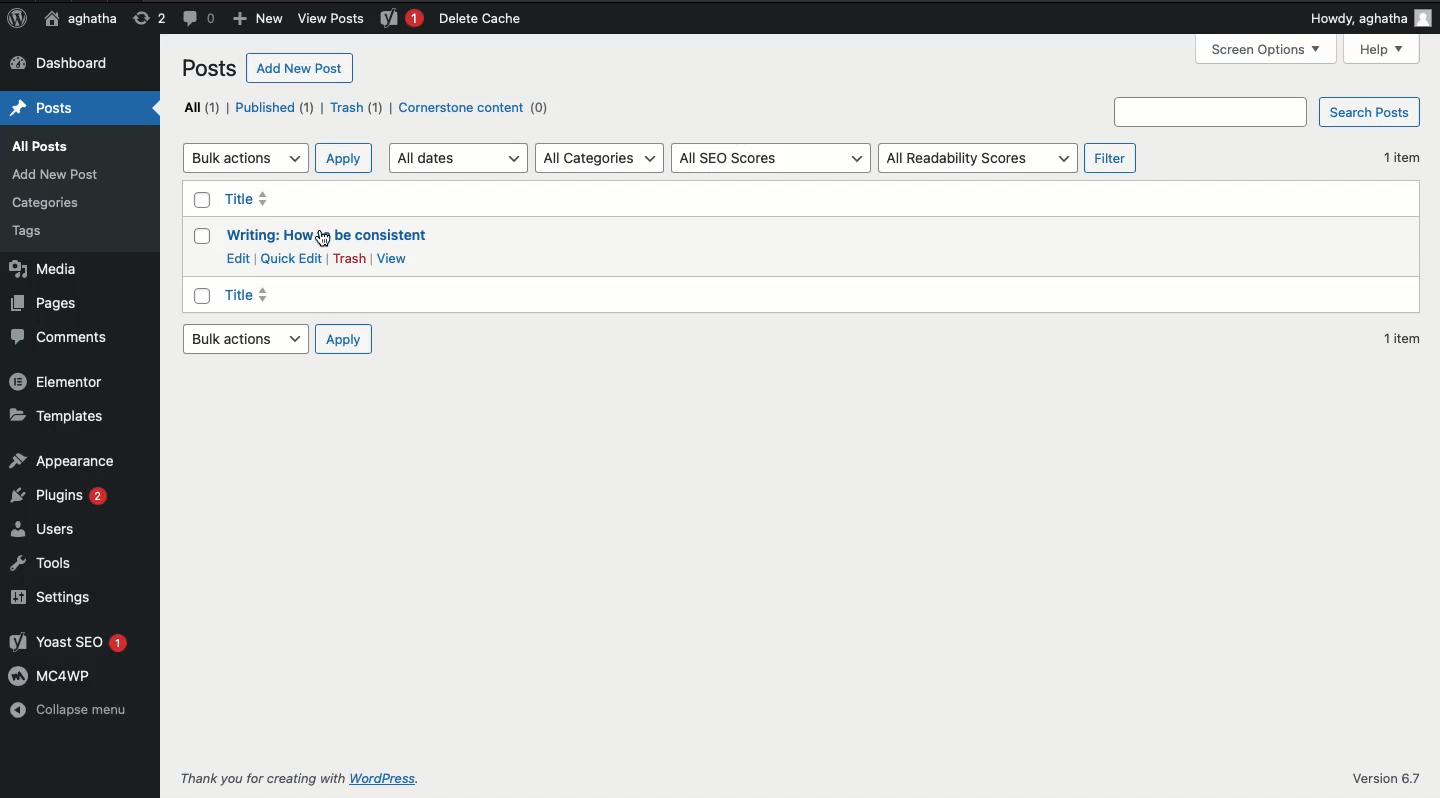 The width and height of the screenshot is (1440, 798). Describe the element at coordinates (199, 108) in the screenshot. I see `All` at that location.